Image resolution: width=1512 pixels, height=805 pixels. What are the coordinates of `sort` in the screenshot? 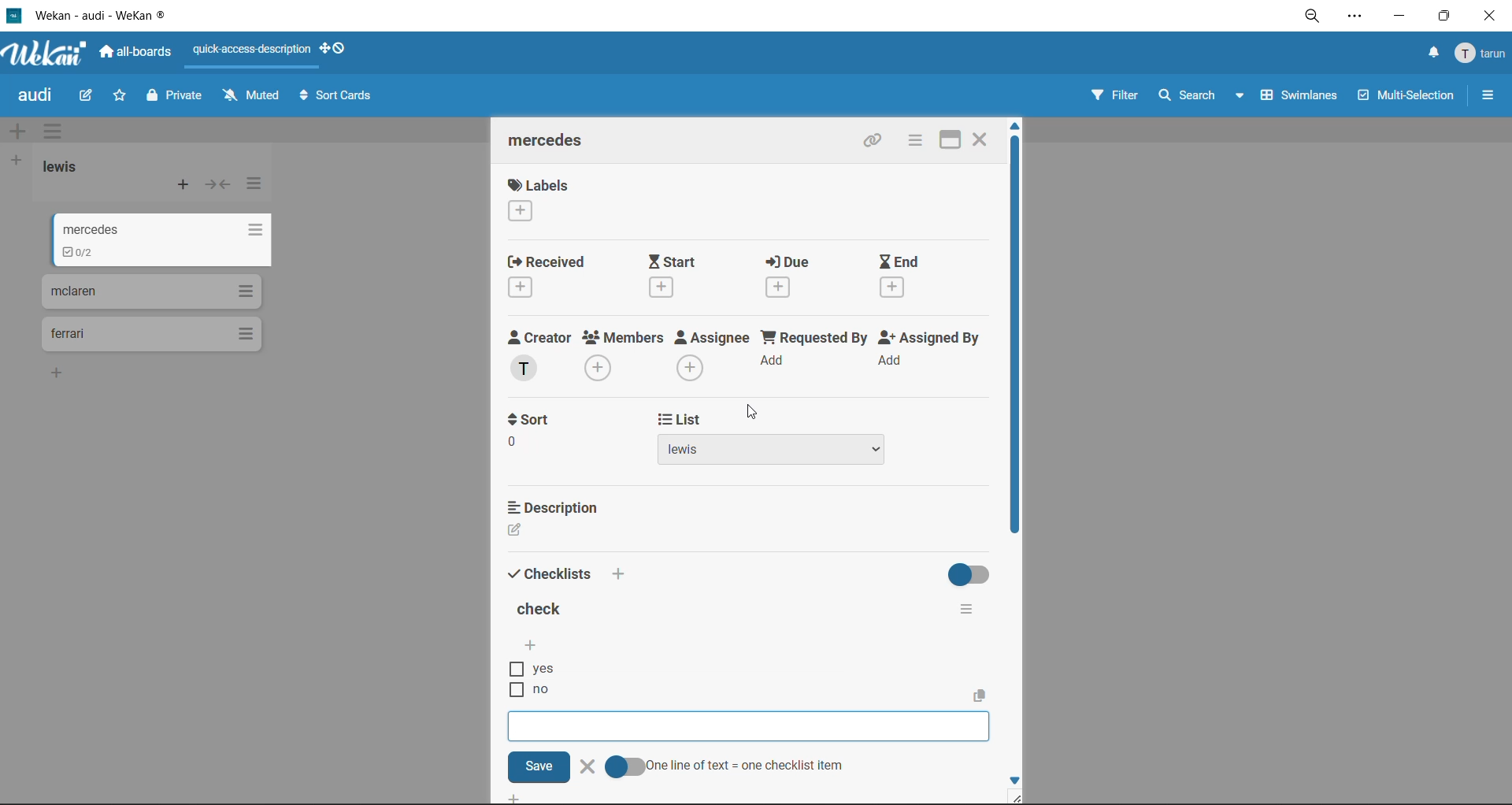 It's located at (546, 449).